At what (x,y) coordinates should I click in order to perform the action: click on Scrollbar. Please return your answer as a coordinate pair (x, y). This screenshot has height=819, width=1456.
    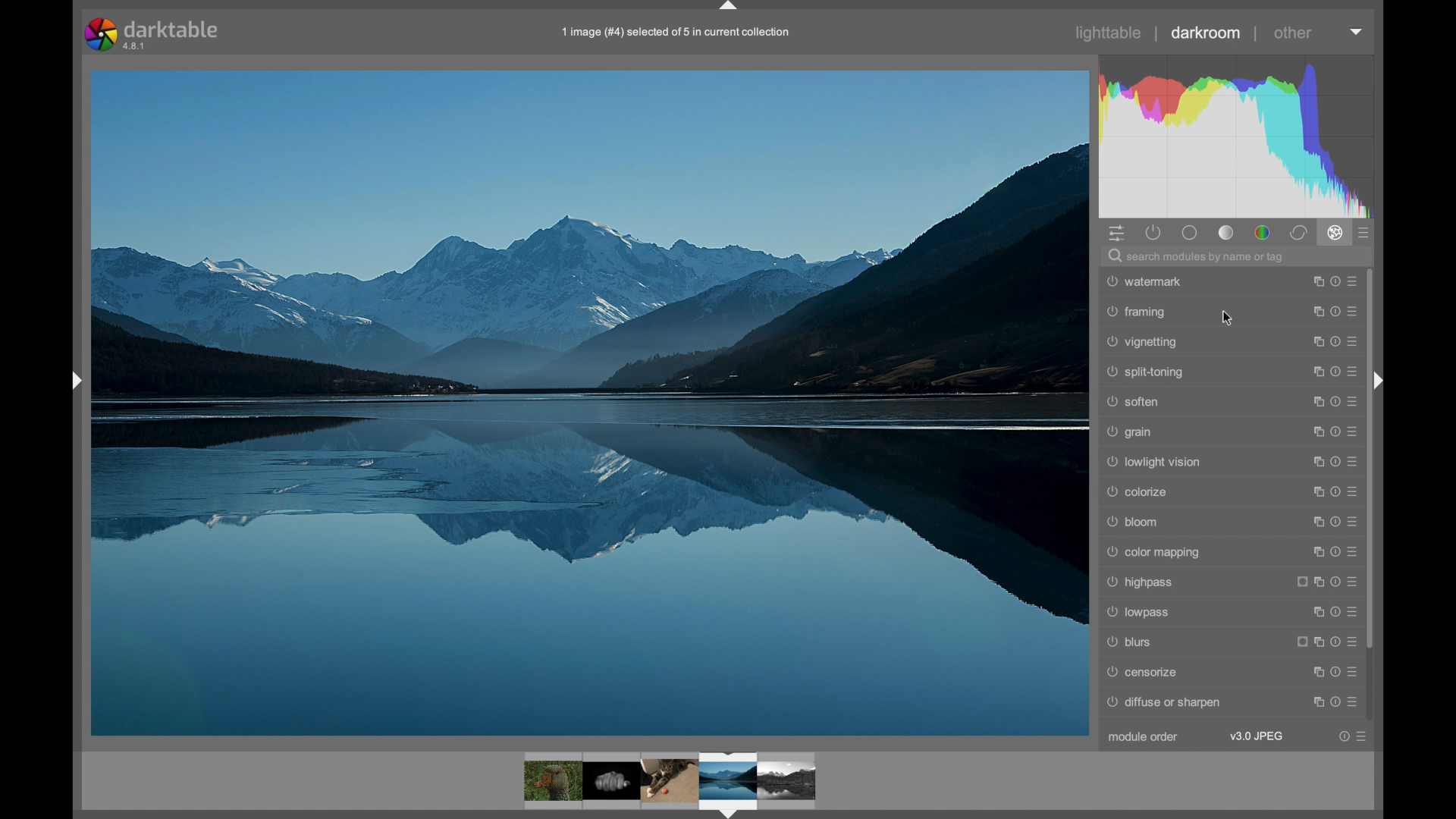
    Looking at the image, I should click on (1377, 561).